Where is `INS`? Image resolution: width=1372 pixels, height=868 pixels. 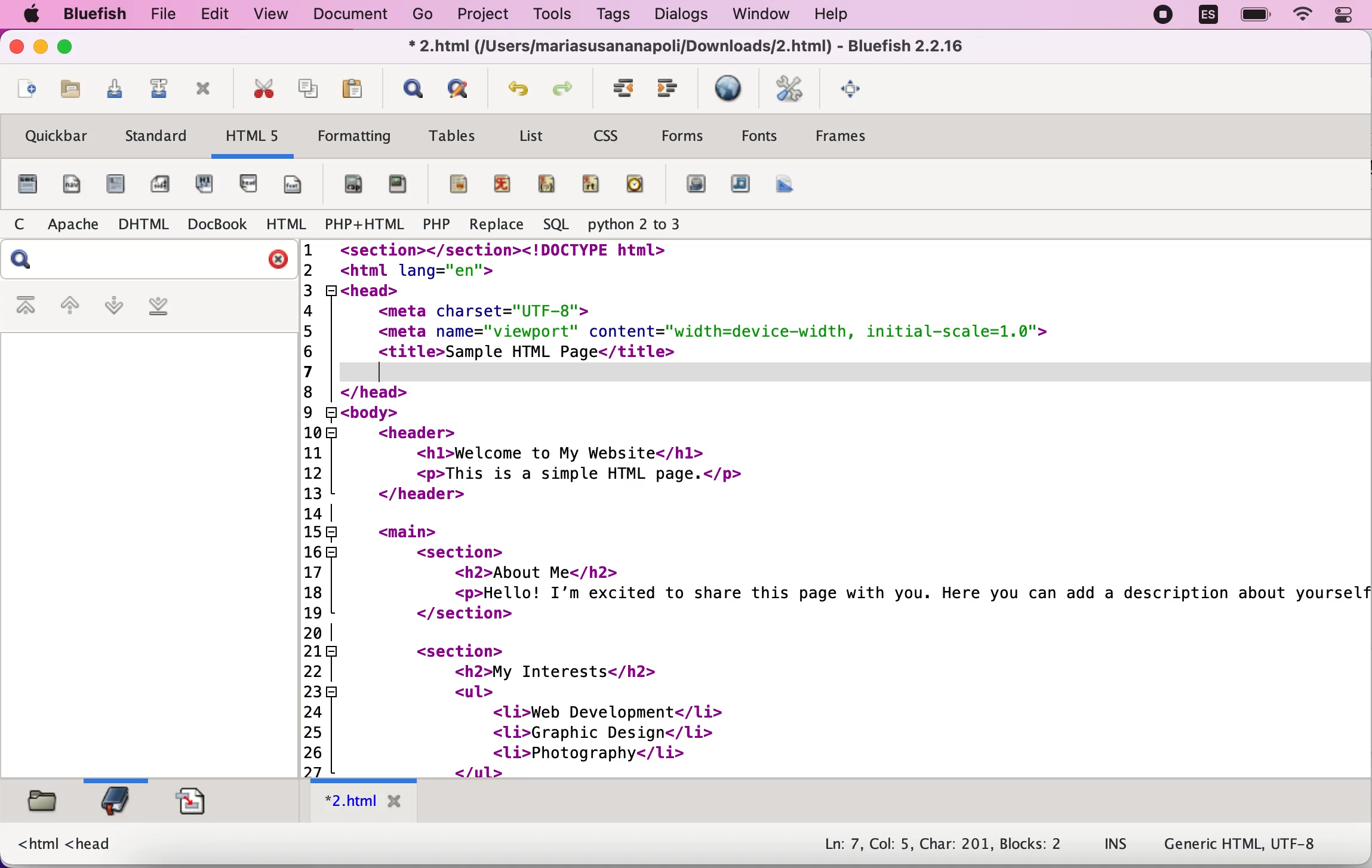
INS is located at coordinates (1116, 845).